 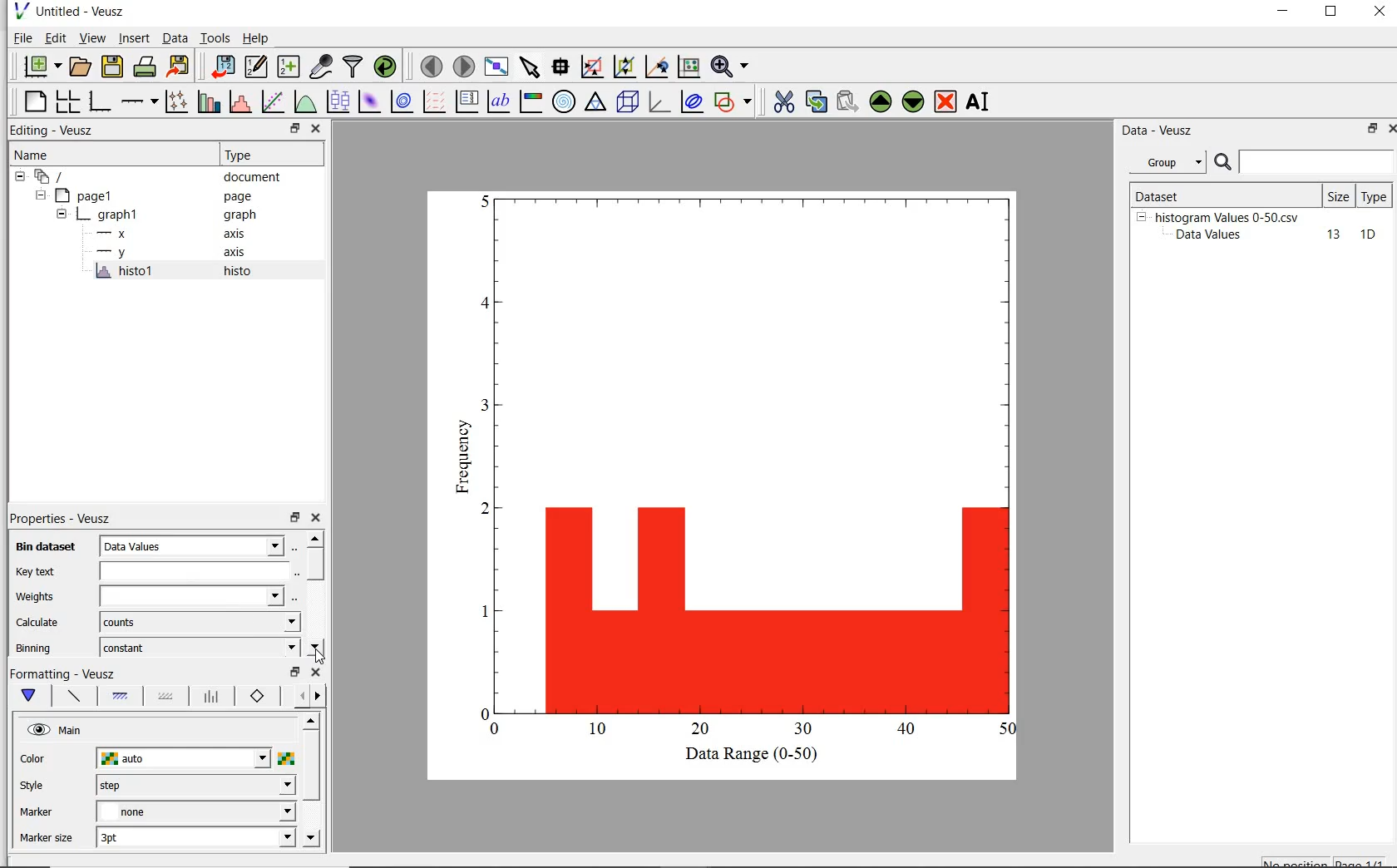 What do you see at coordinates (36, 787) in the screenshot?
I see `Style` at bounding box center [36, 787].